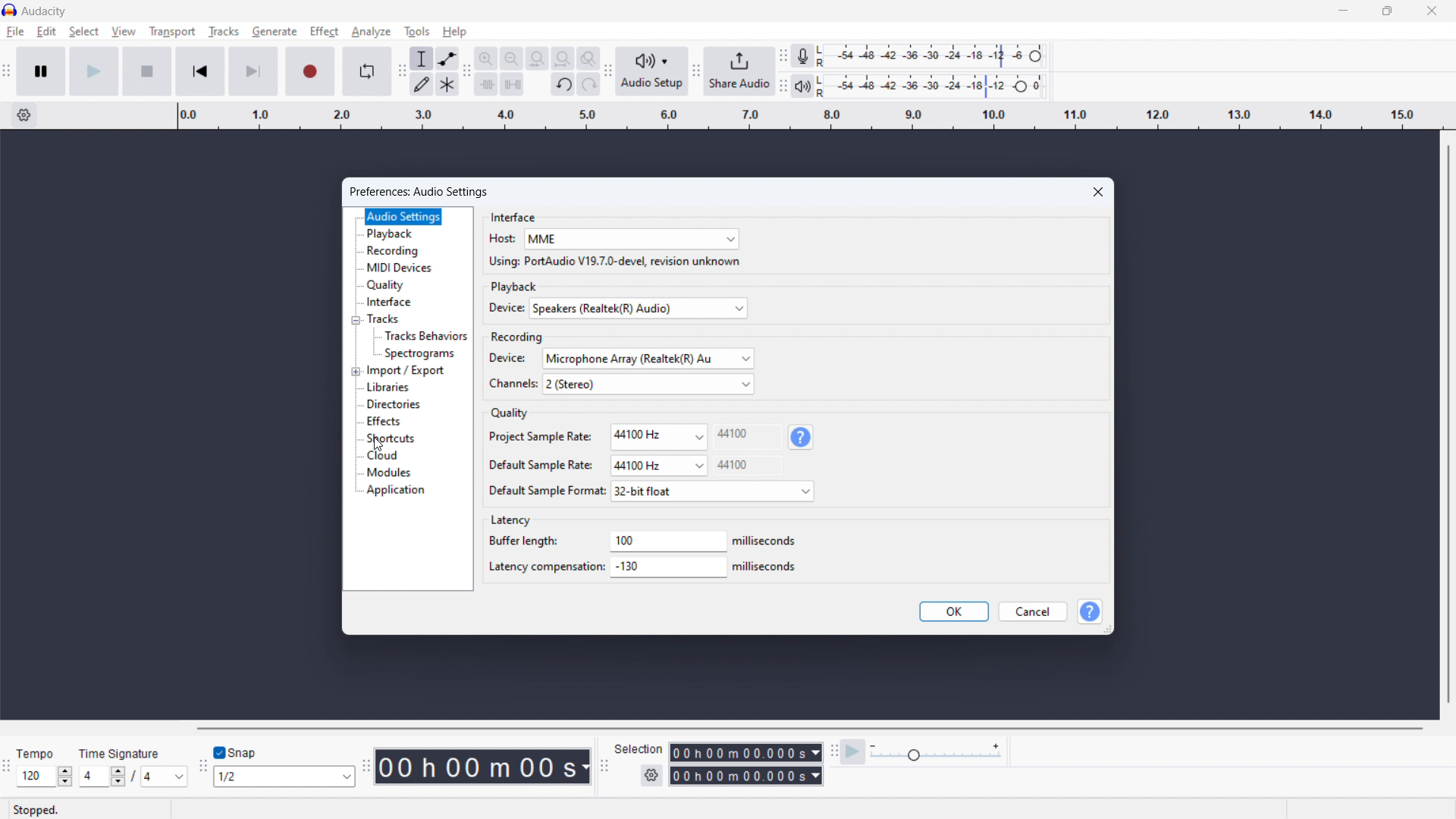 The image size is (1456, 819). I want to click on cloud, so click(383, 456).